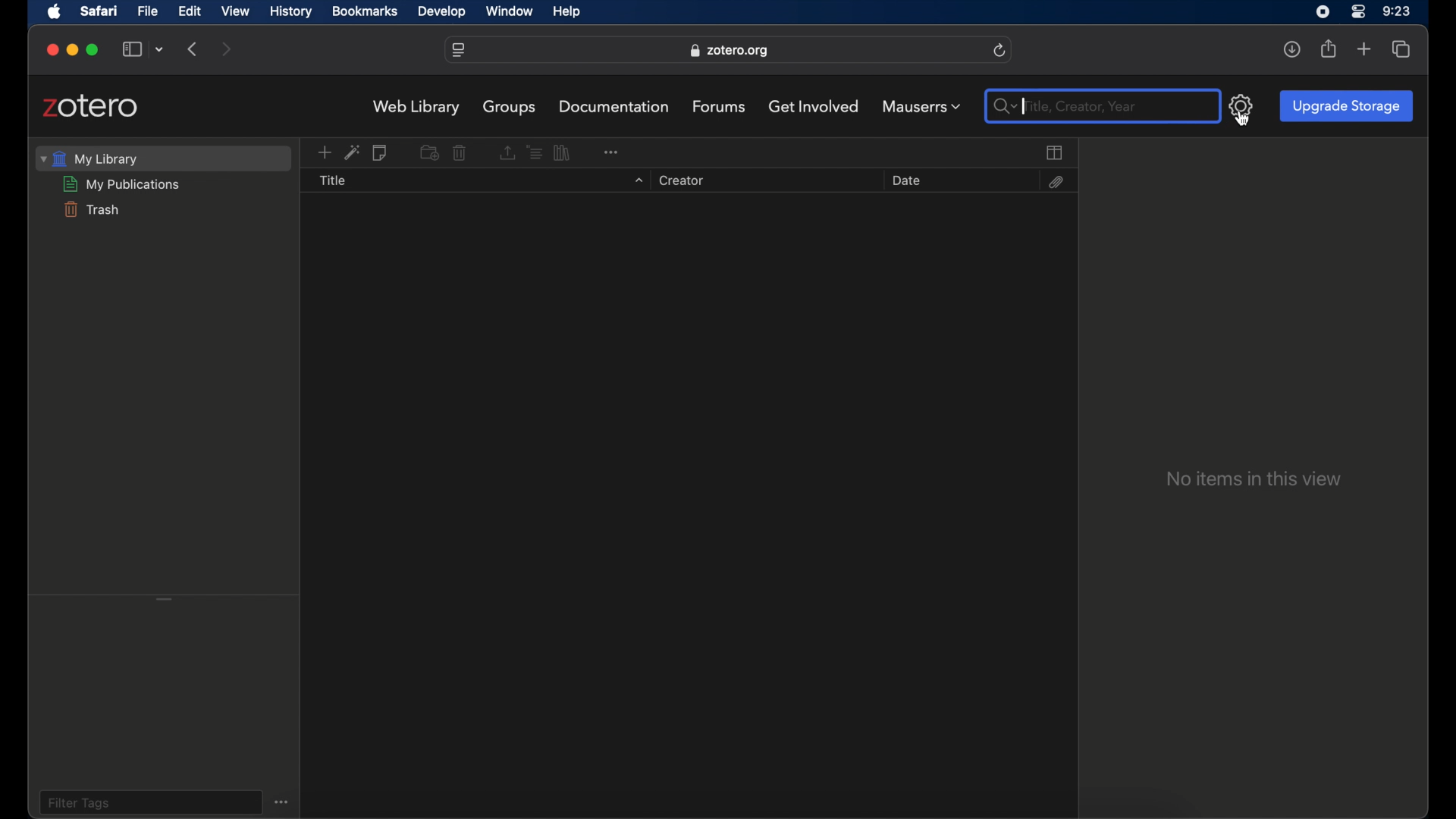  I want to click on apple icon, so click(55, 12).